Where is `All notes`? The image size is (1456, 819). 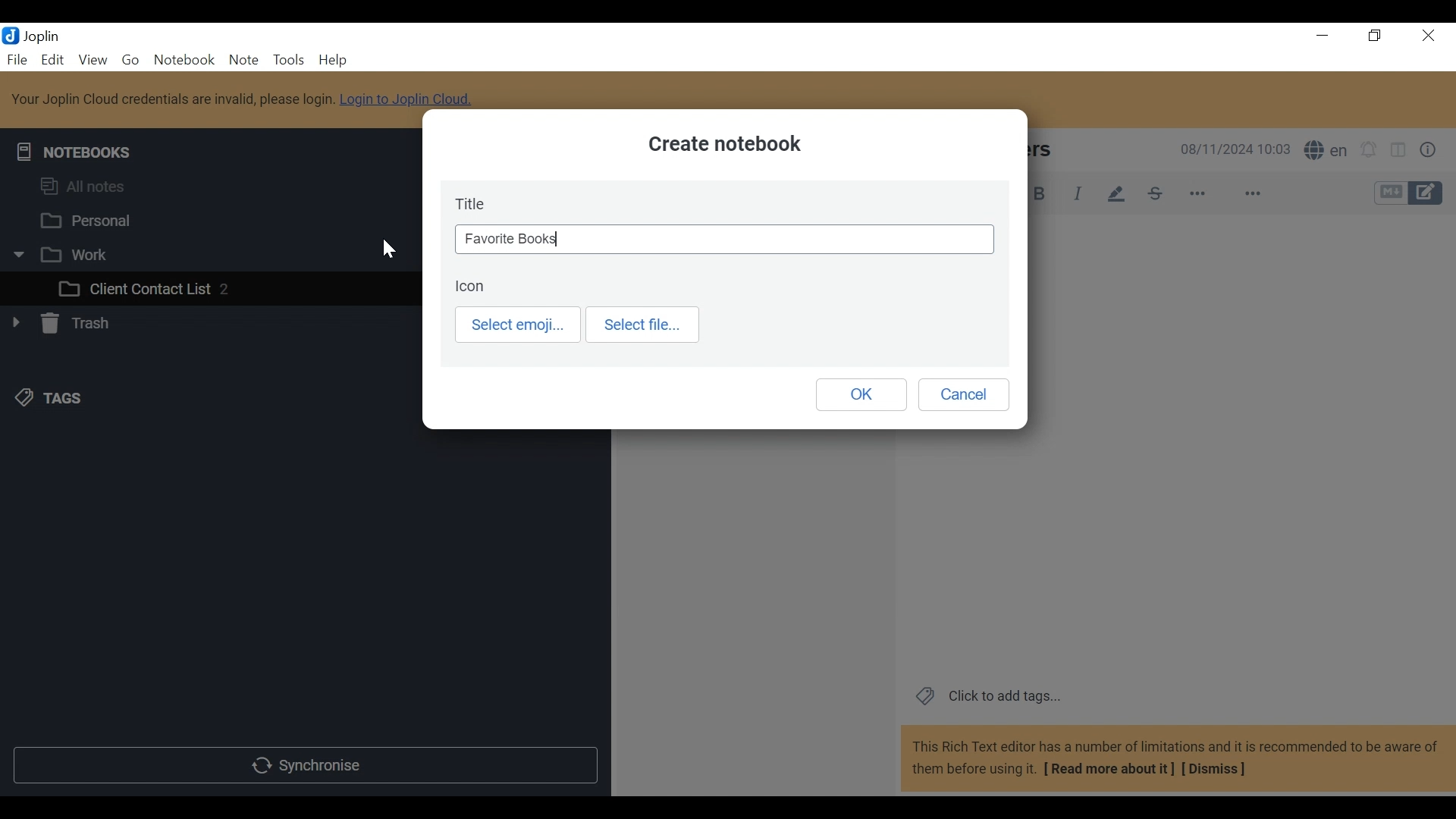 All notes is located at coordinates (87, 187).